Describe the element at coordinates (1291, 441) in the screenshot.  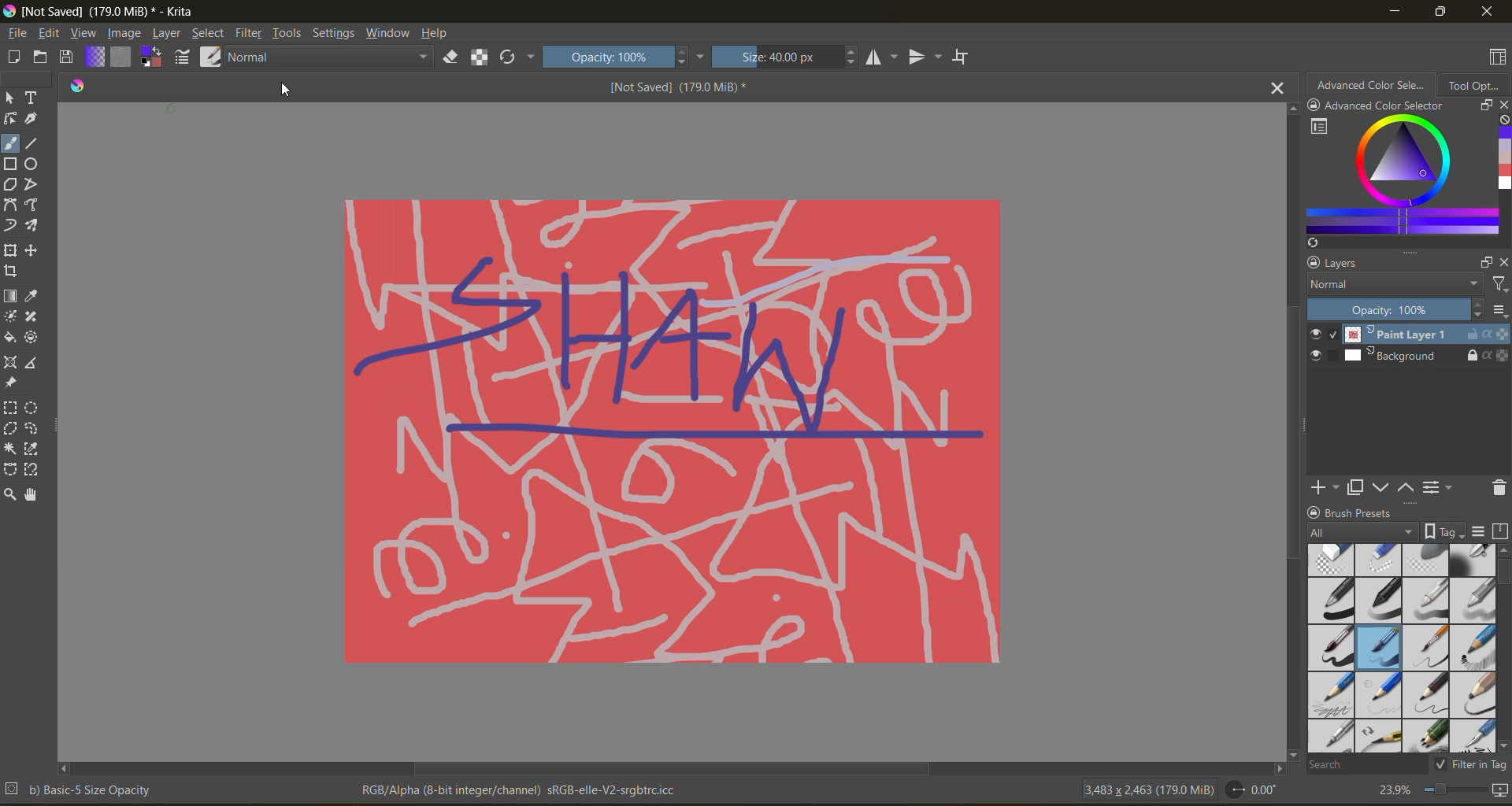
I see `vertical scroll bar` at that location.